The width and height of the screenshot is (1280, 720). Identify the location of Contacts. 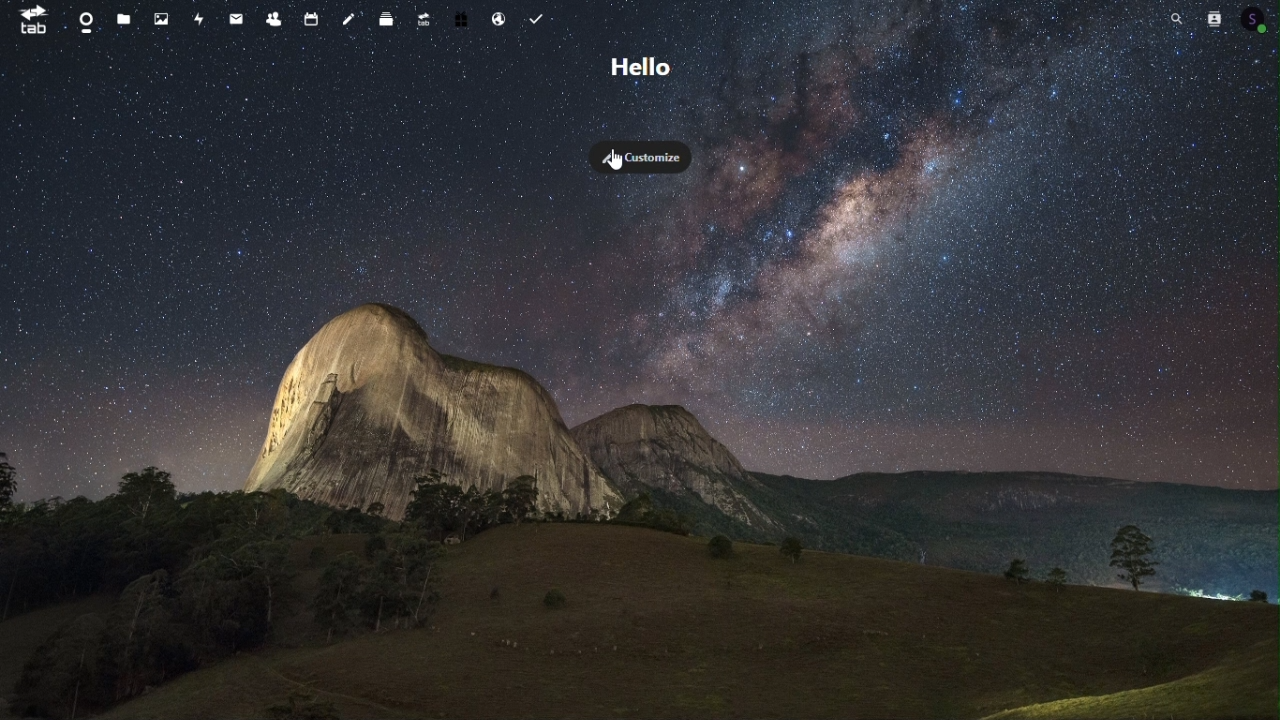
(1215, 16).